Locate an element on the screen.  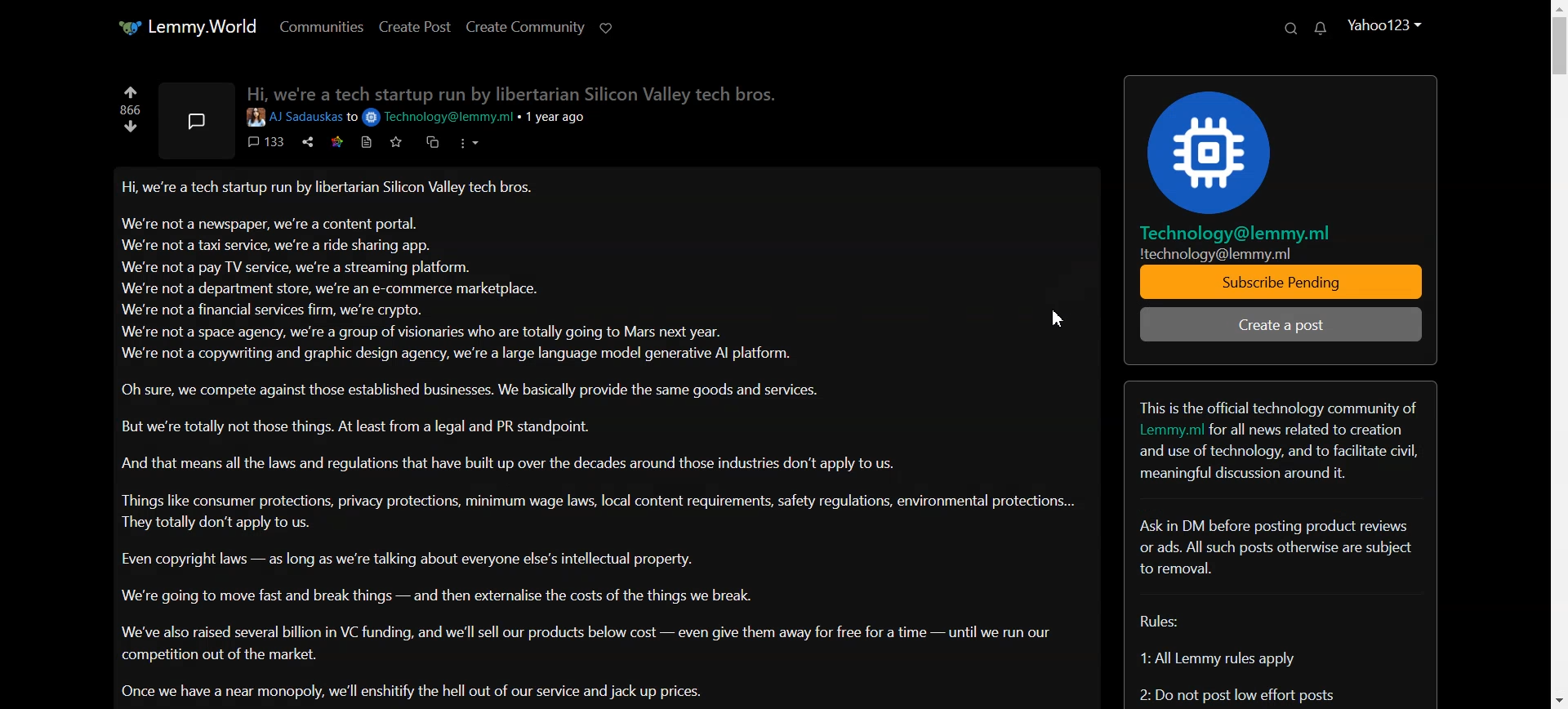
Lemmy.world is located at coordinates (185, 26).